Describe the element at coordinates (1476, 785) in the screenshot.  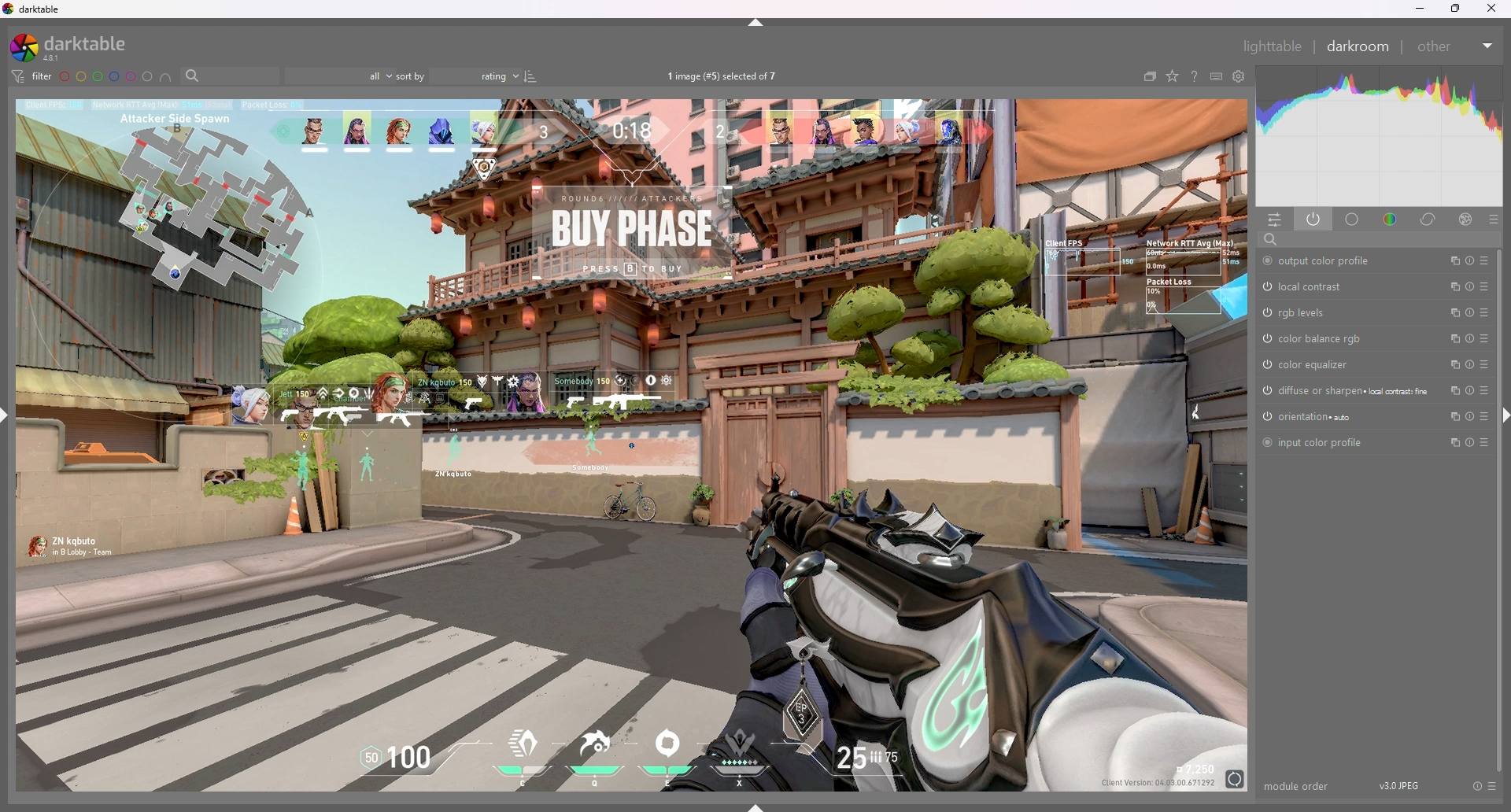
I see `reset` at that location.